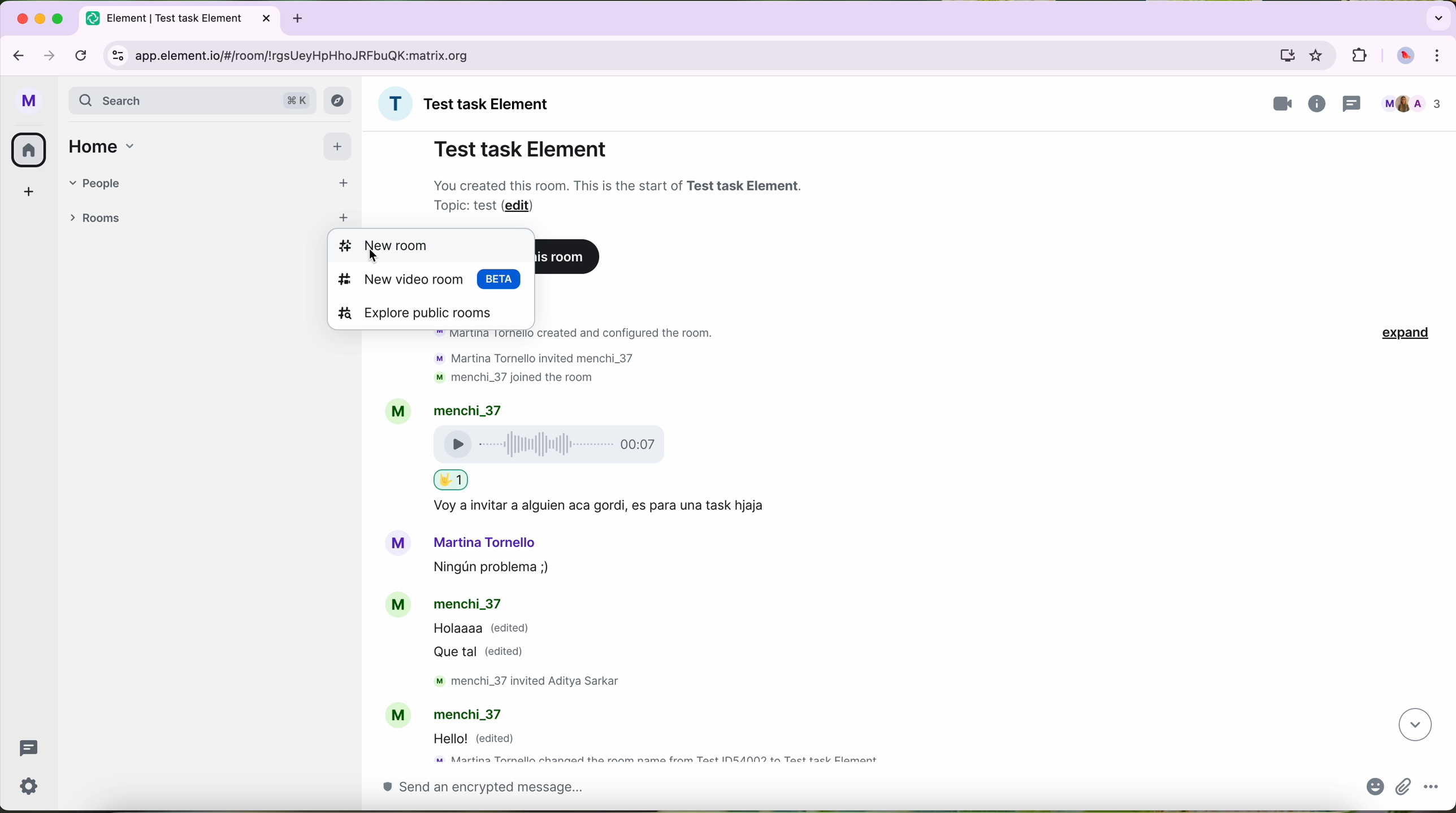 This screenshot has height=813, width=1456. I want to click on name, so click(469, 103).